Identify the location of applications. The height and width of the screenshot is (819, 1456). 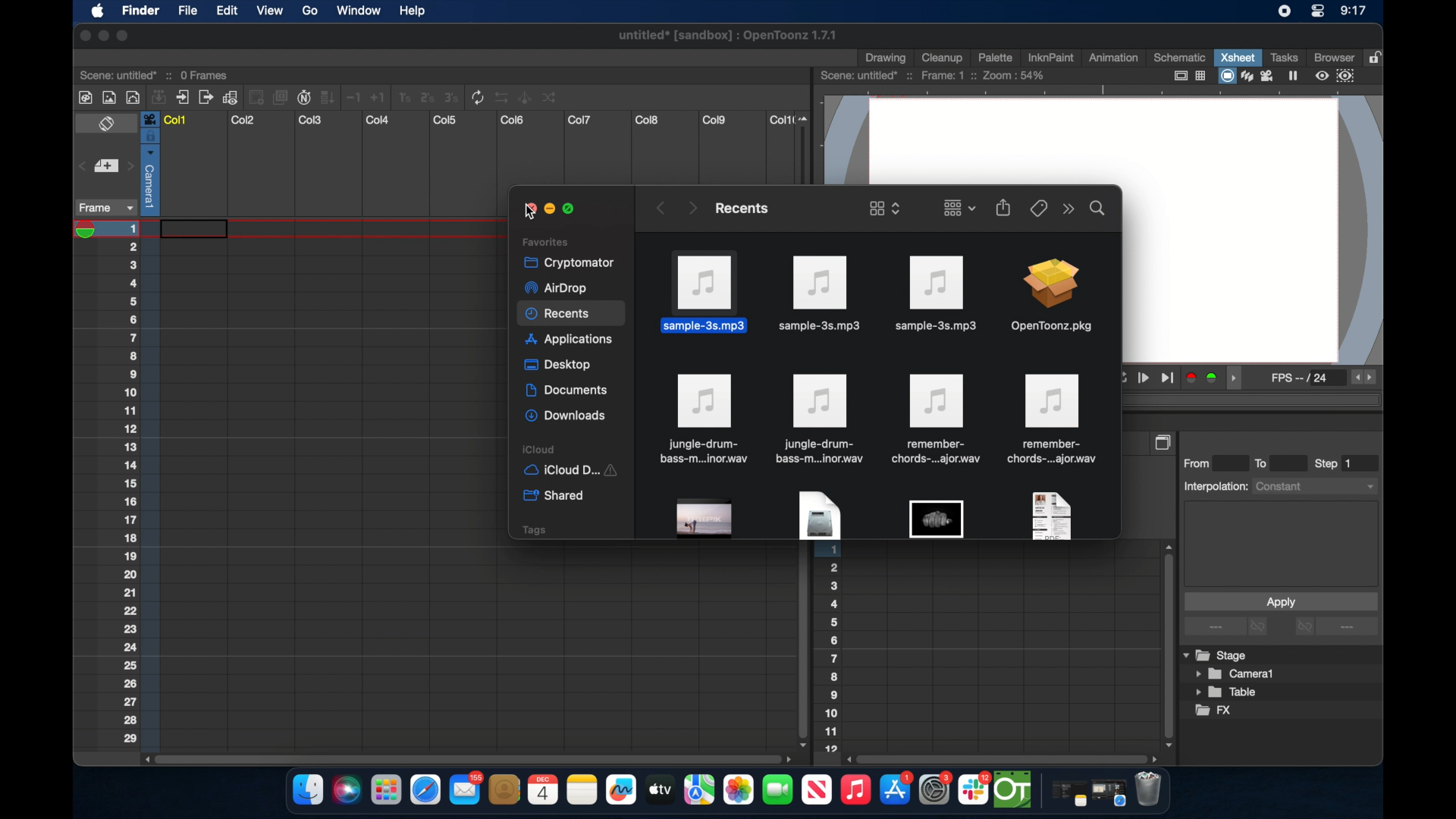
(570, 341).